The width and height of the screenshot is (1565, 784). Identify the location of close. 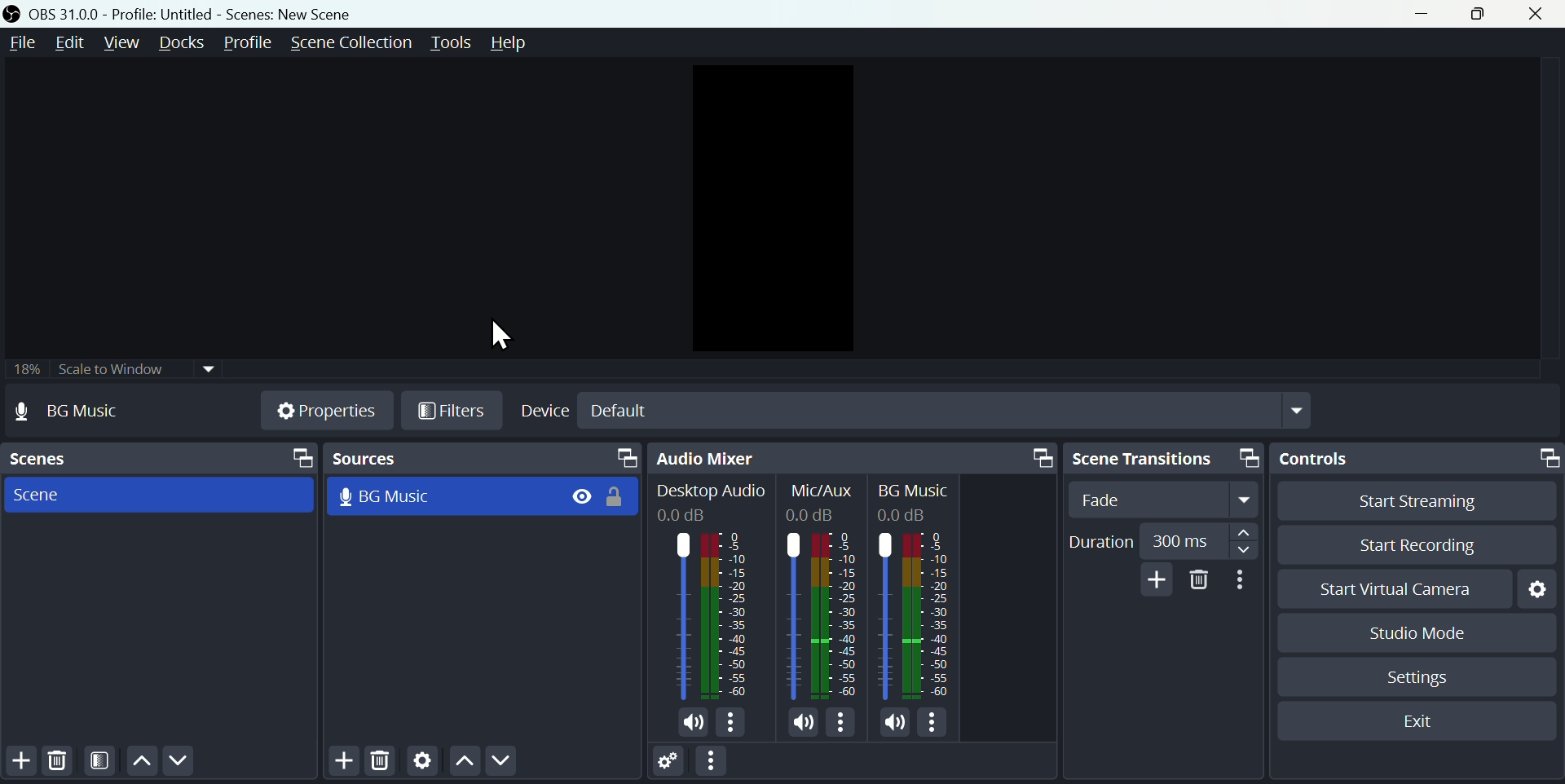
(1540, 12).